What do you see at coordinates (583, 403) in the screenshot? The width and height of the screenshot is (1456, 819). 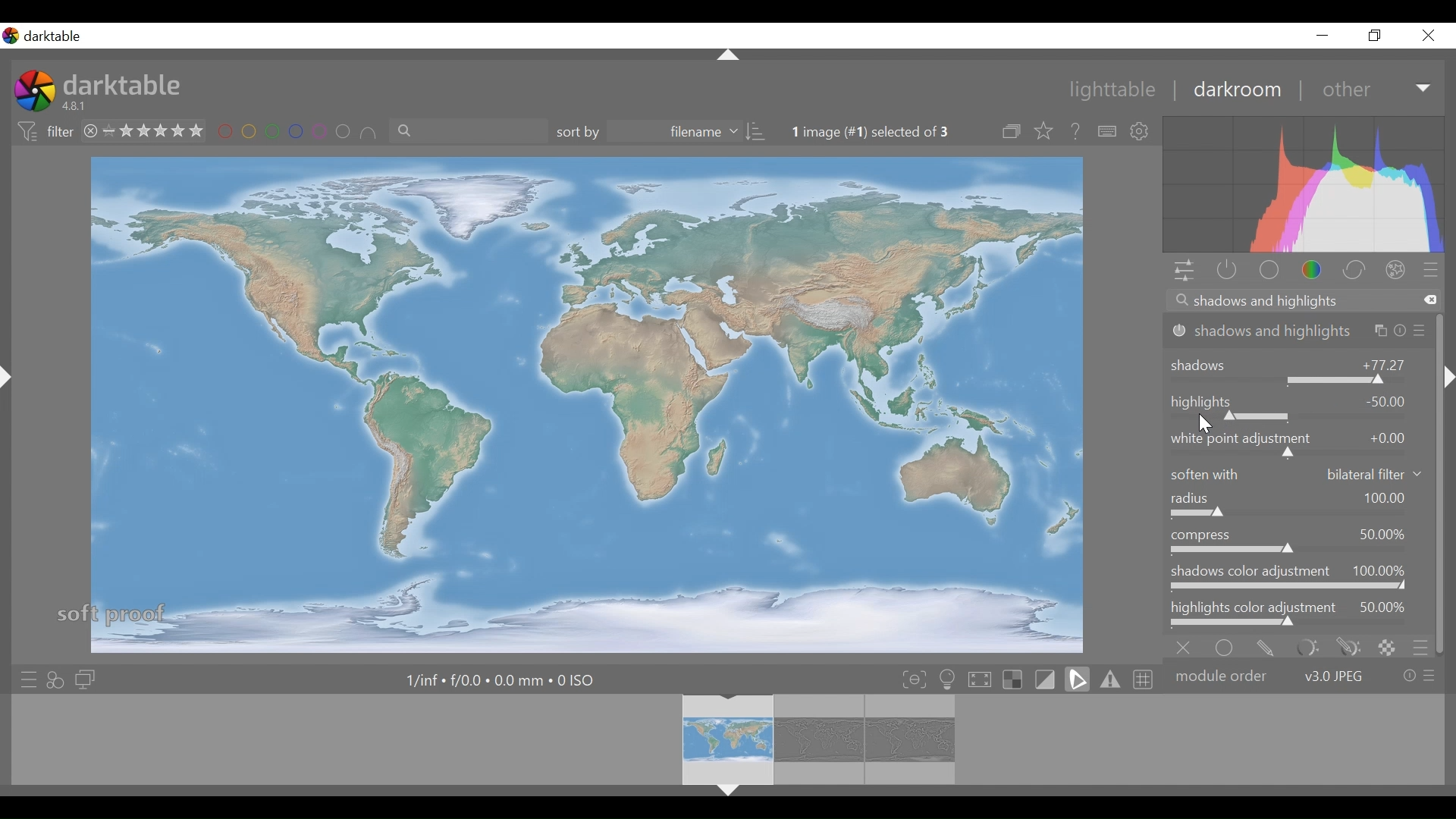 I see `main editing area` at bounding box center [583, 403].